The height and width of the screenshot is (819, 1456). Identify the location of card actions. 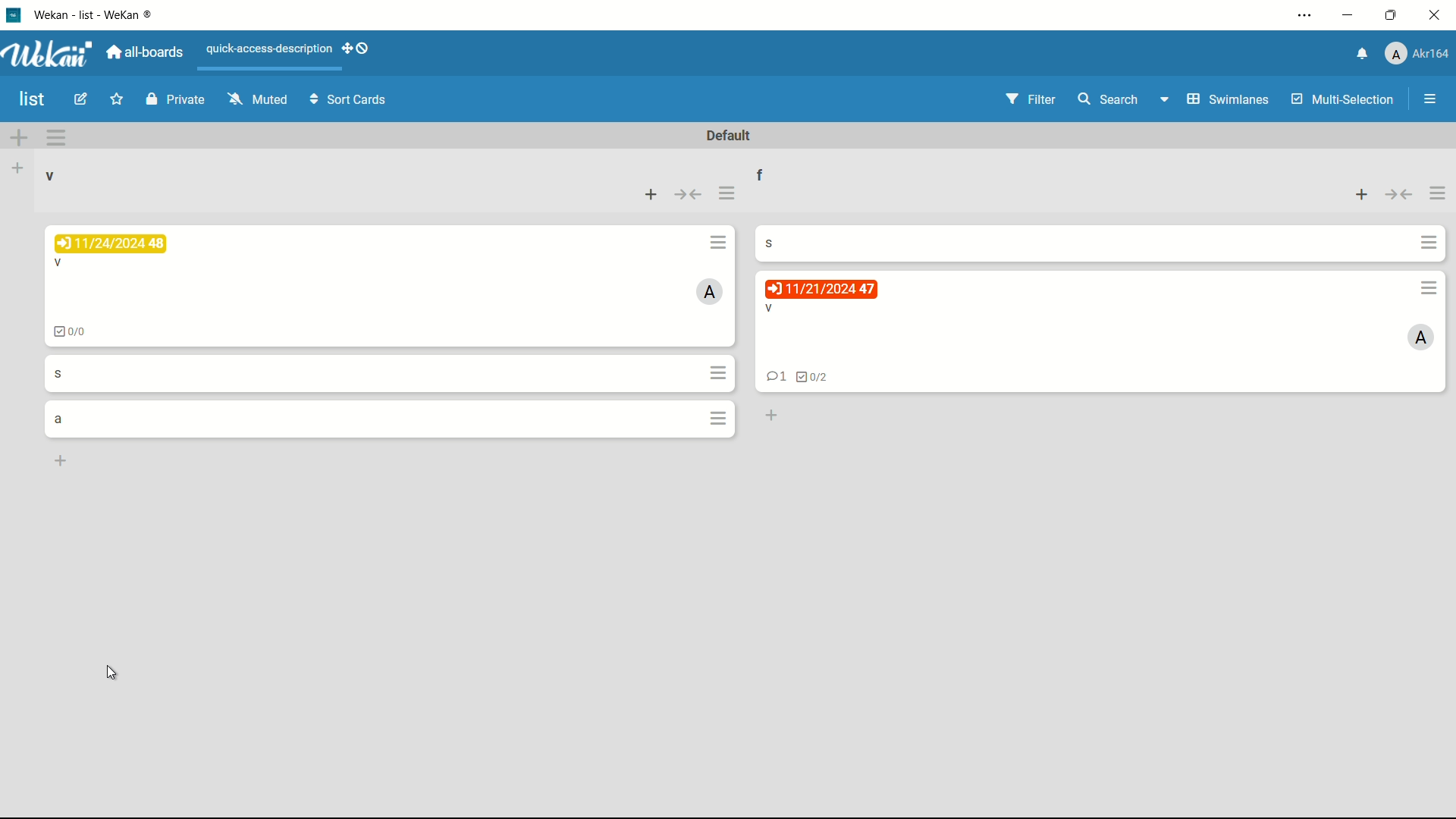
(718, 241).